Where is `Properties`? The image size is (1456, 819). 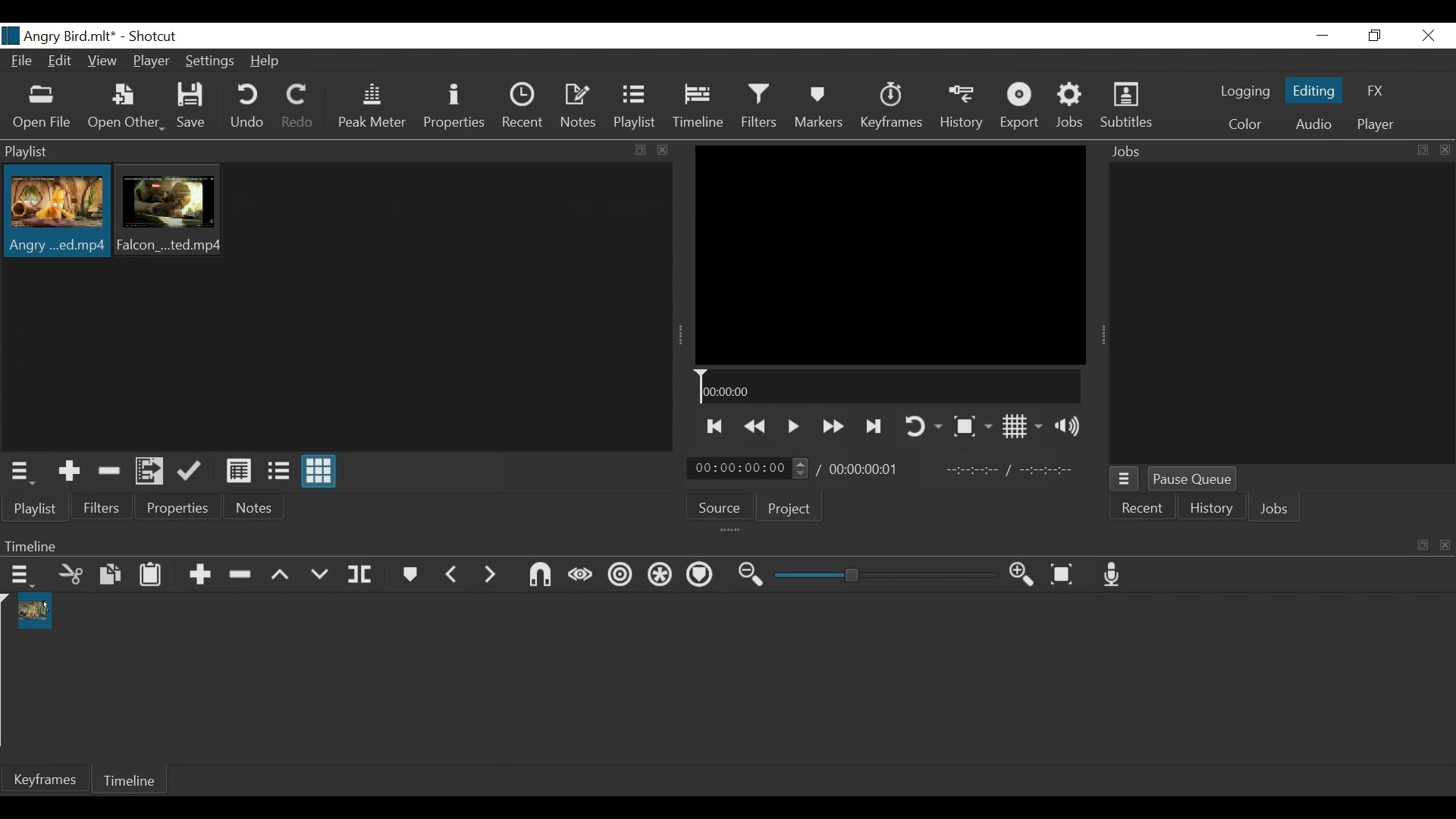
Properties is located at coordinates (180, 508).